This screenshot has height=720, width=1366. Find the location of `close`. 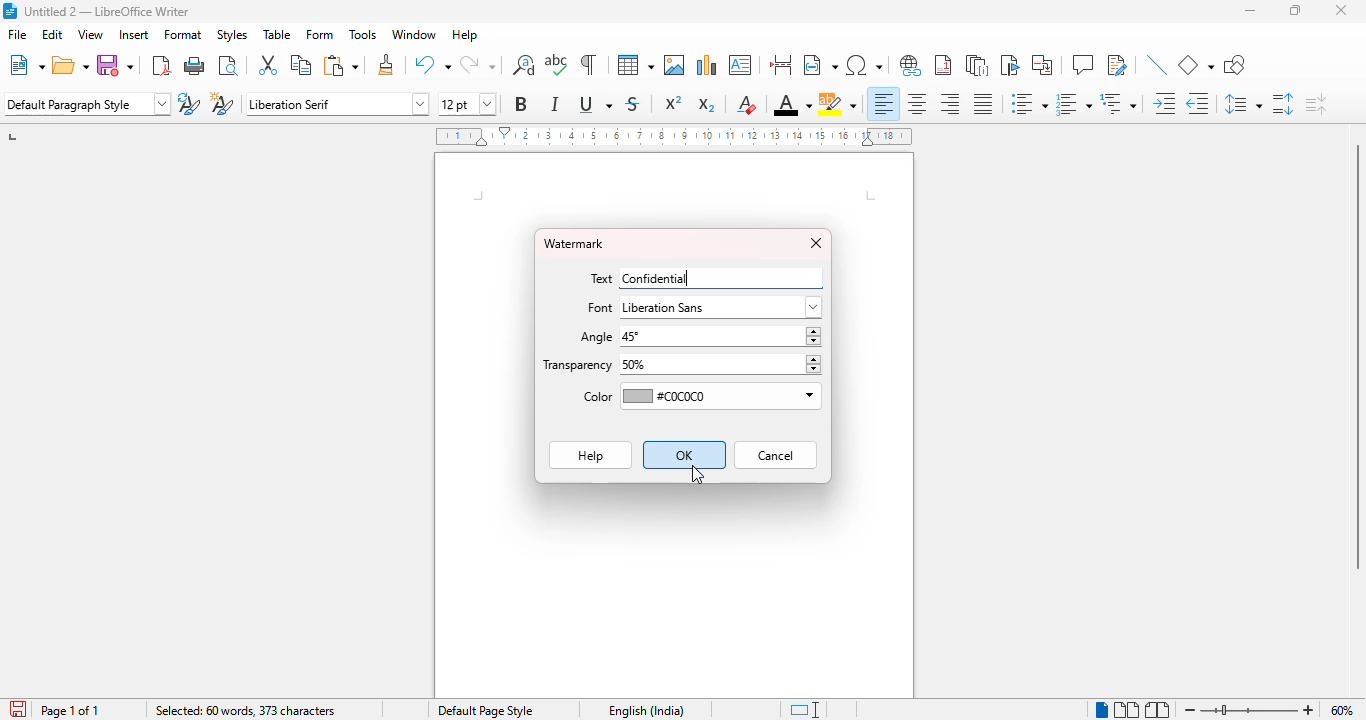

close is located at coordinates (1341, 10).